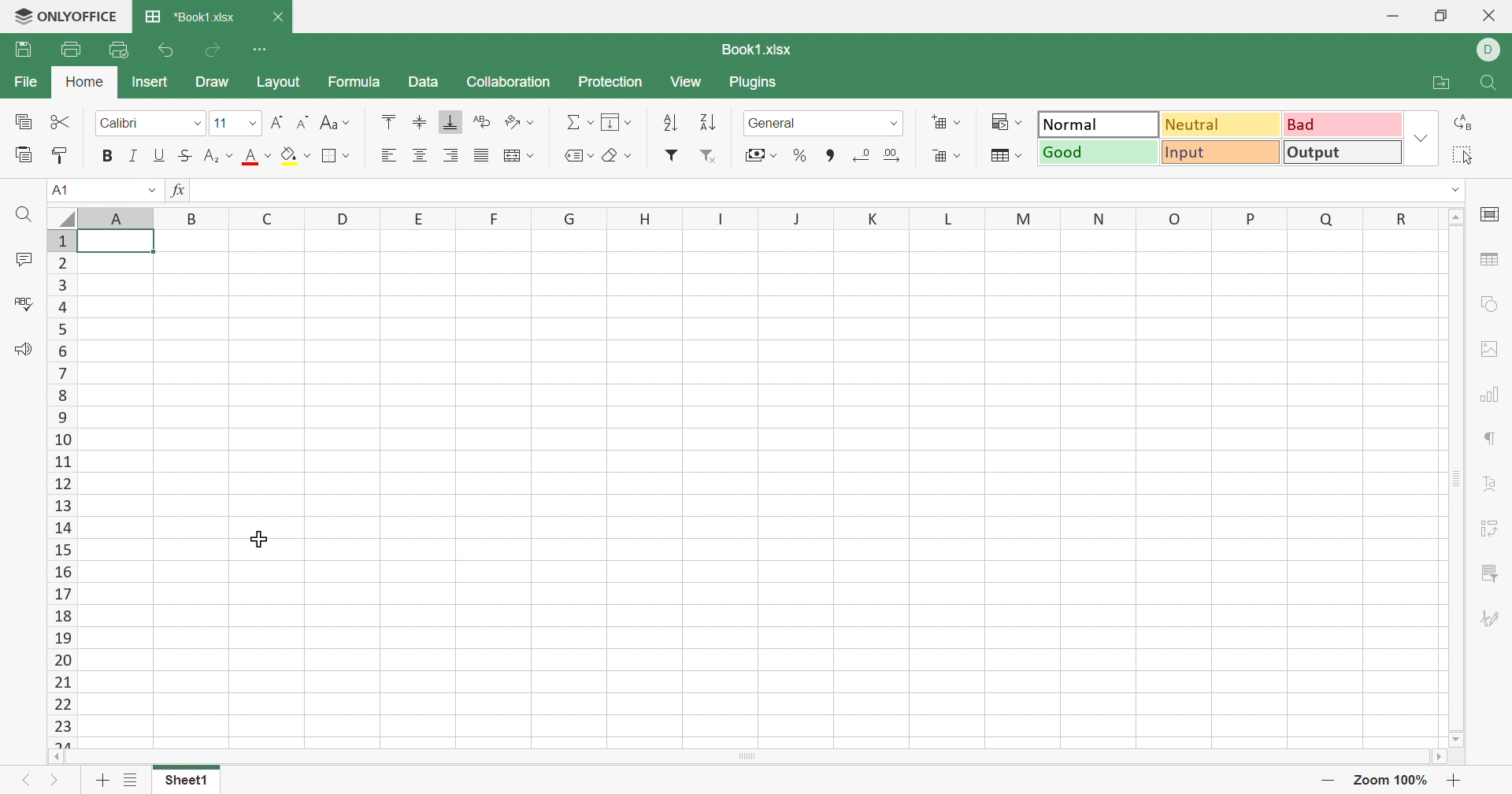 This screenshot has height=794, width=1512. What do you see at coordinates (613, 80) in the screenshot?
I see `Protection` at bounding box center [613, 80].